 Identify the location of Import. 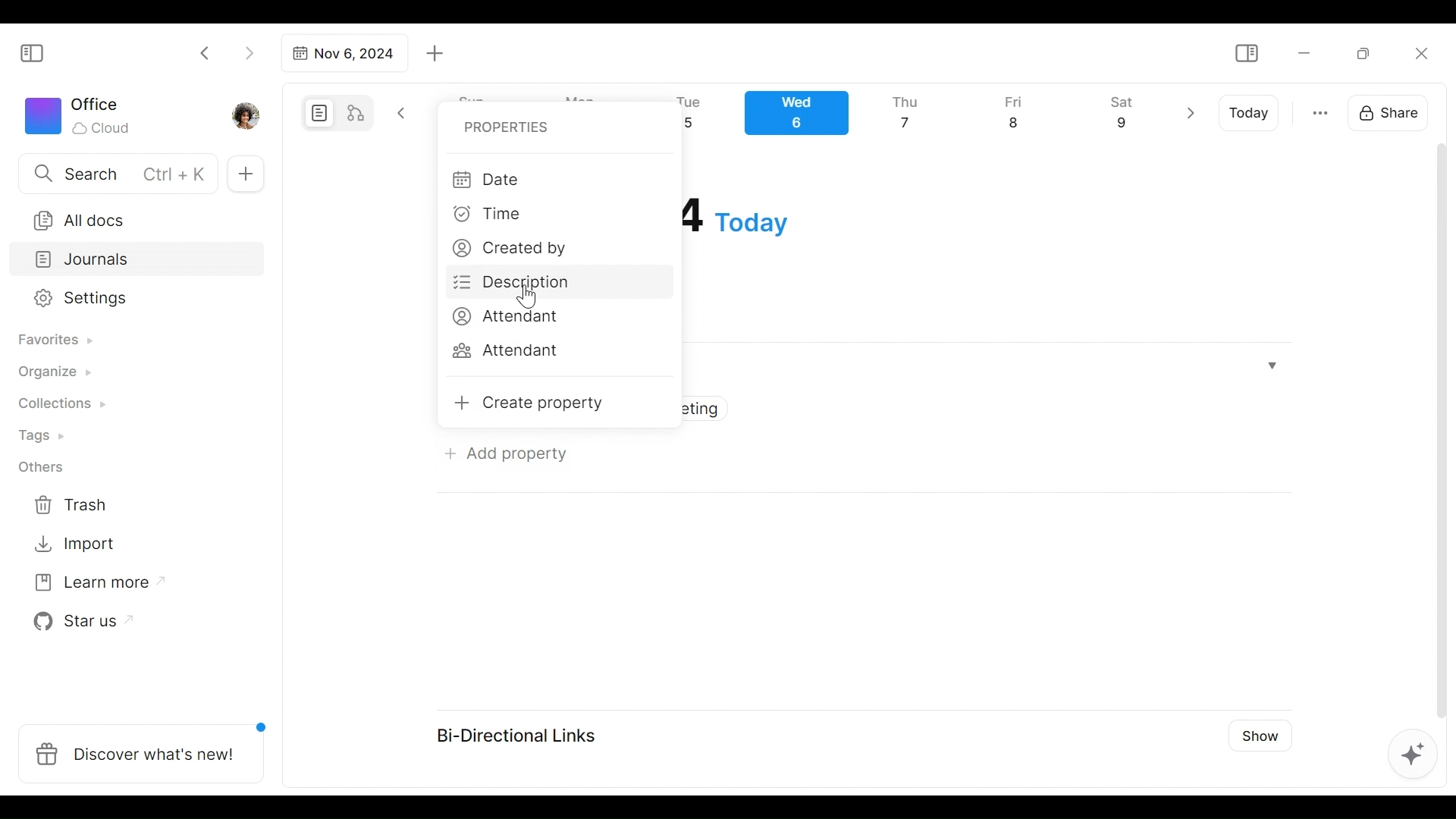
(77, 542).